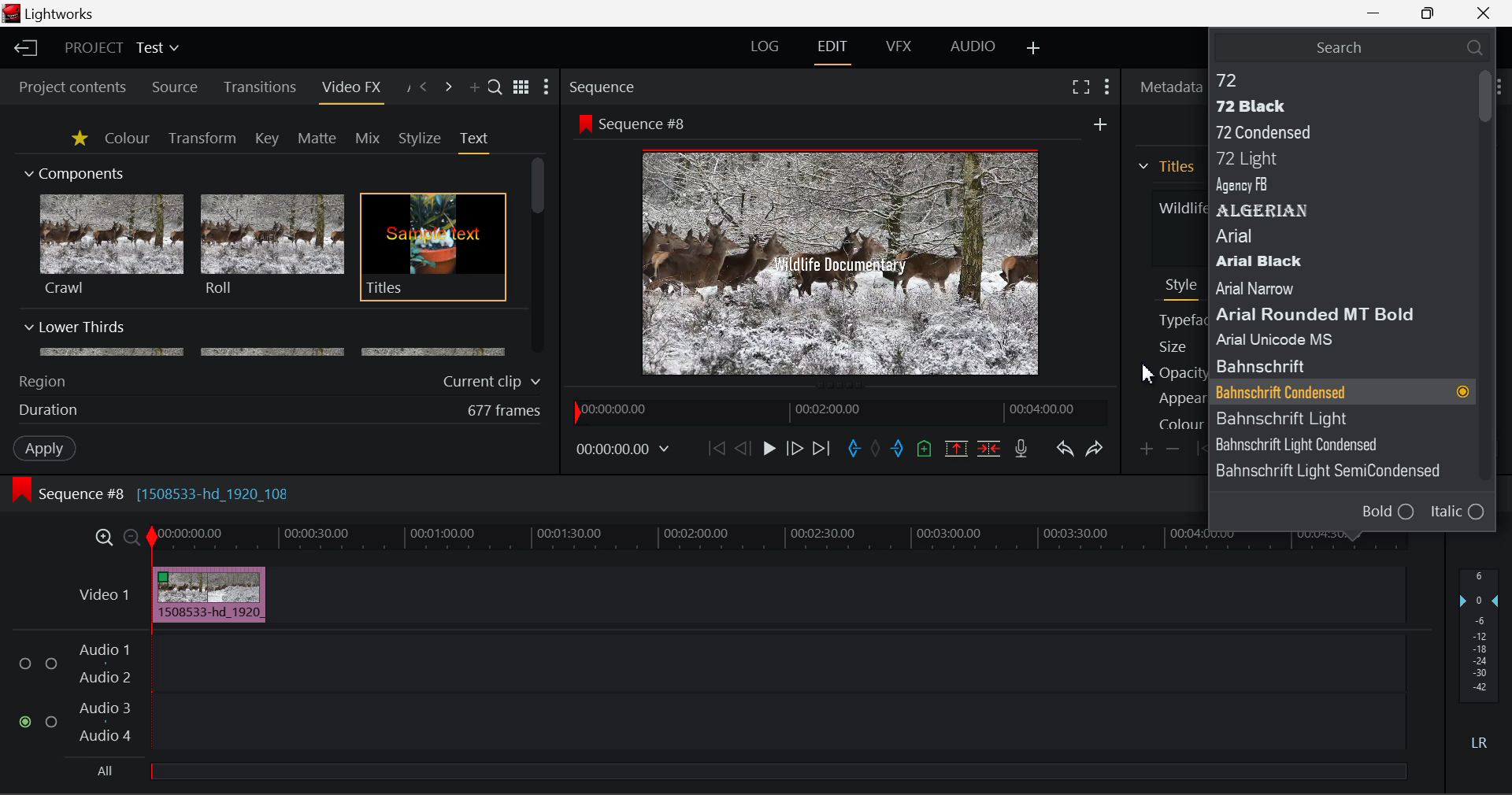 The image size is (1512, 795). I want to click on Crawl, so click(112, 245).